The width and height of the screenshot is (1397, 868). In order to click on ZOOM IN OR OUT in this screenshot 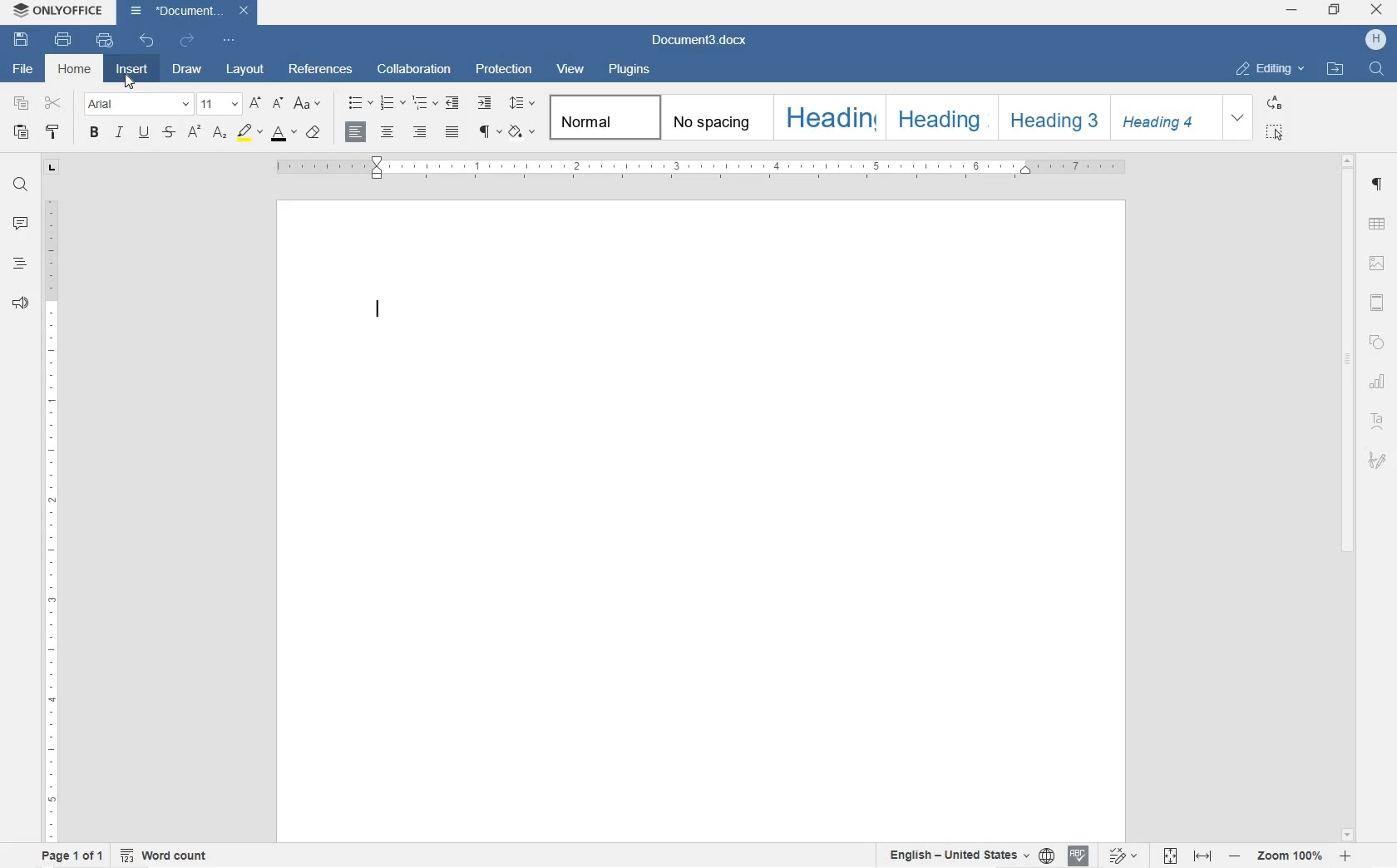, I will do `click(1291, 855)`.